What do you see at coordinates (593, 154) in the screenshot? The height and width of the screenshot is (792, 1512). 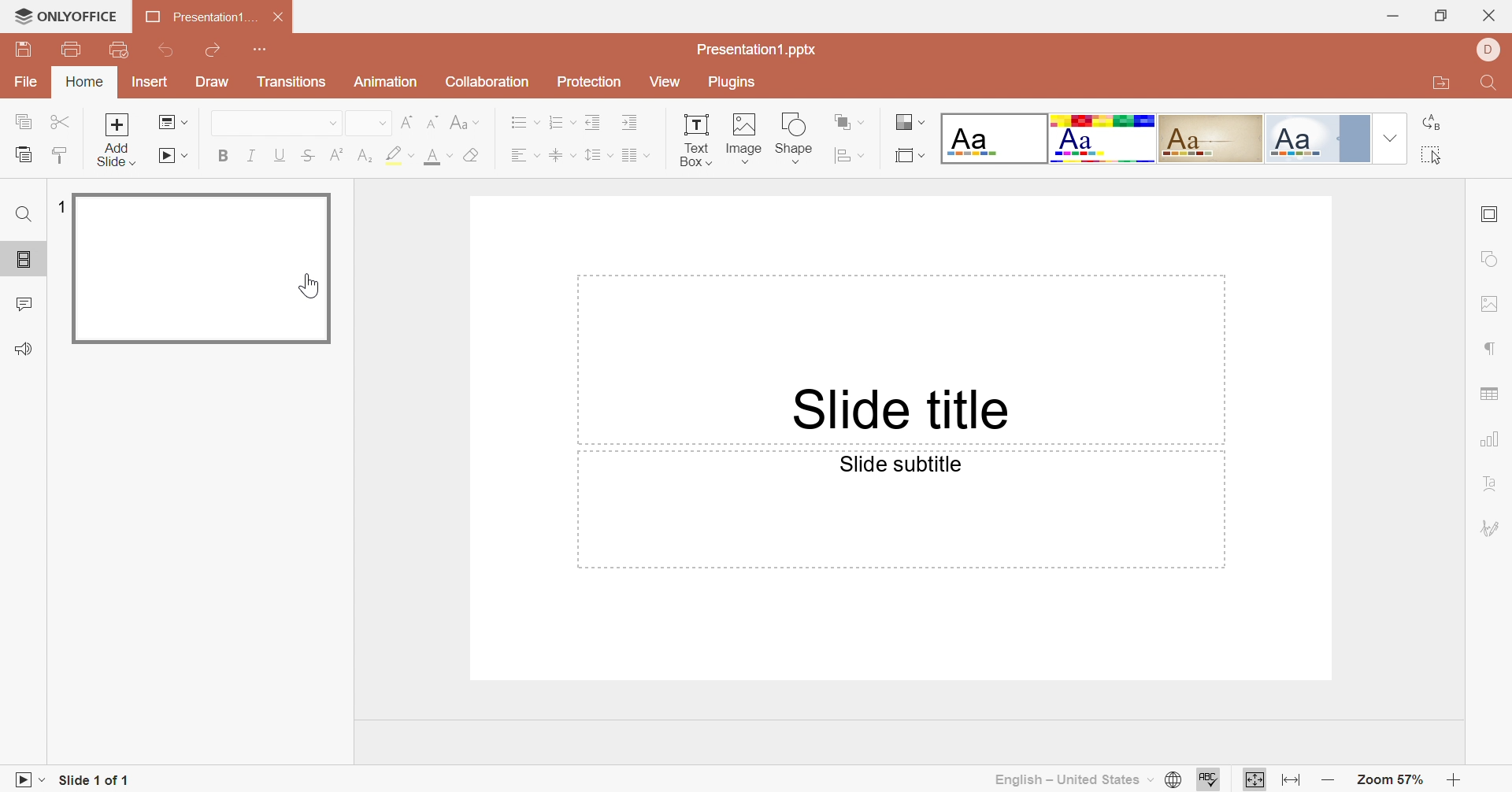 I see `Line spacing` at bounding box center [593, 154].